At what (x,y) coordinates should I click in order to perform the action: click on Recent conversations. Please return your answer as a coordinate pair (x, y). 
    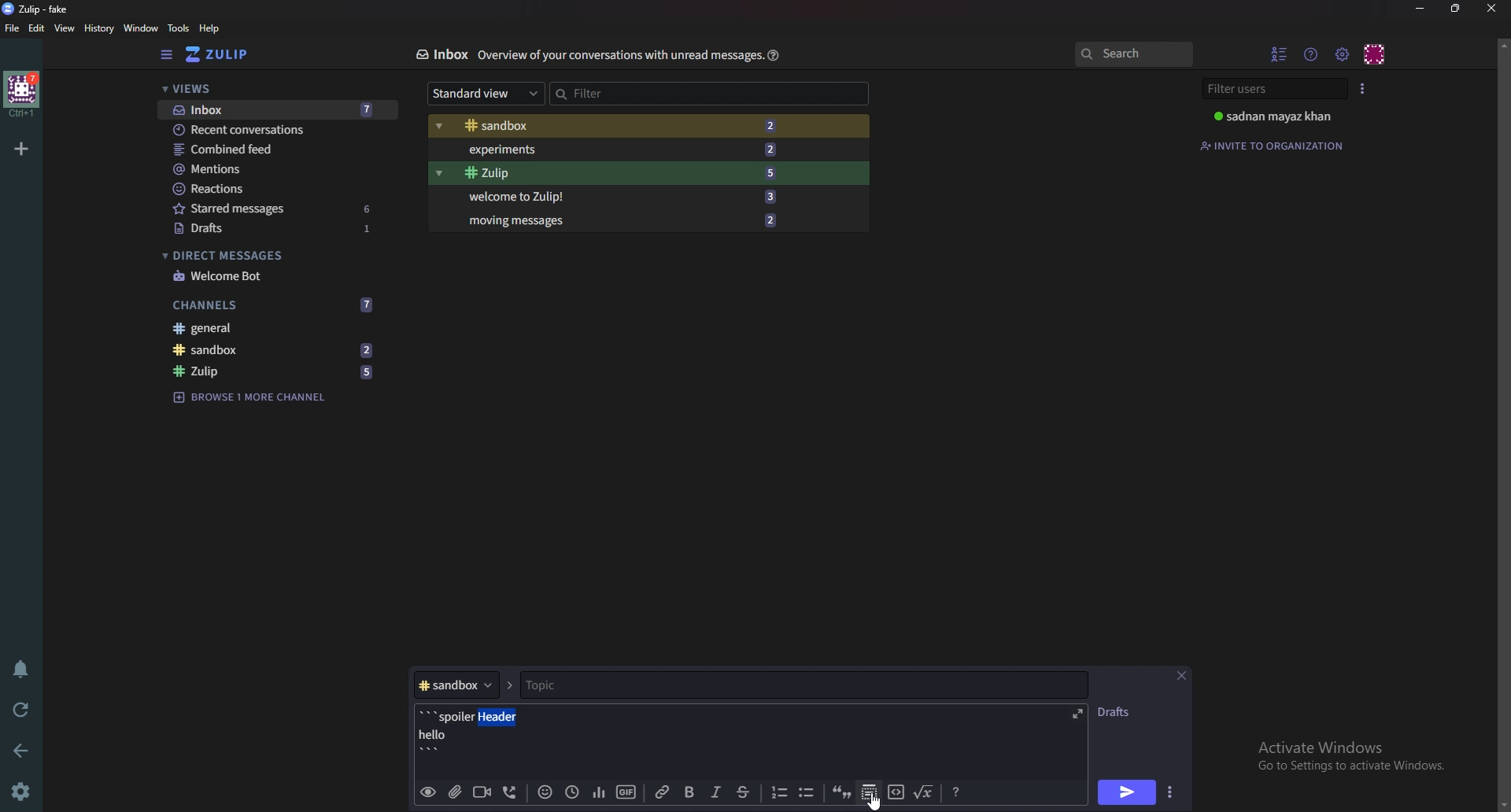
    Looking at the image, I should click on (269, 131).